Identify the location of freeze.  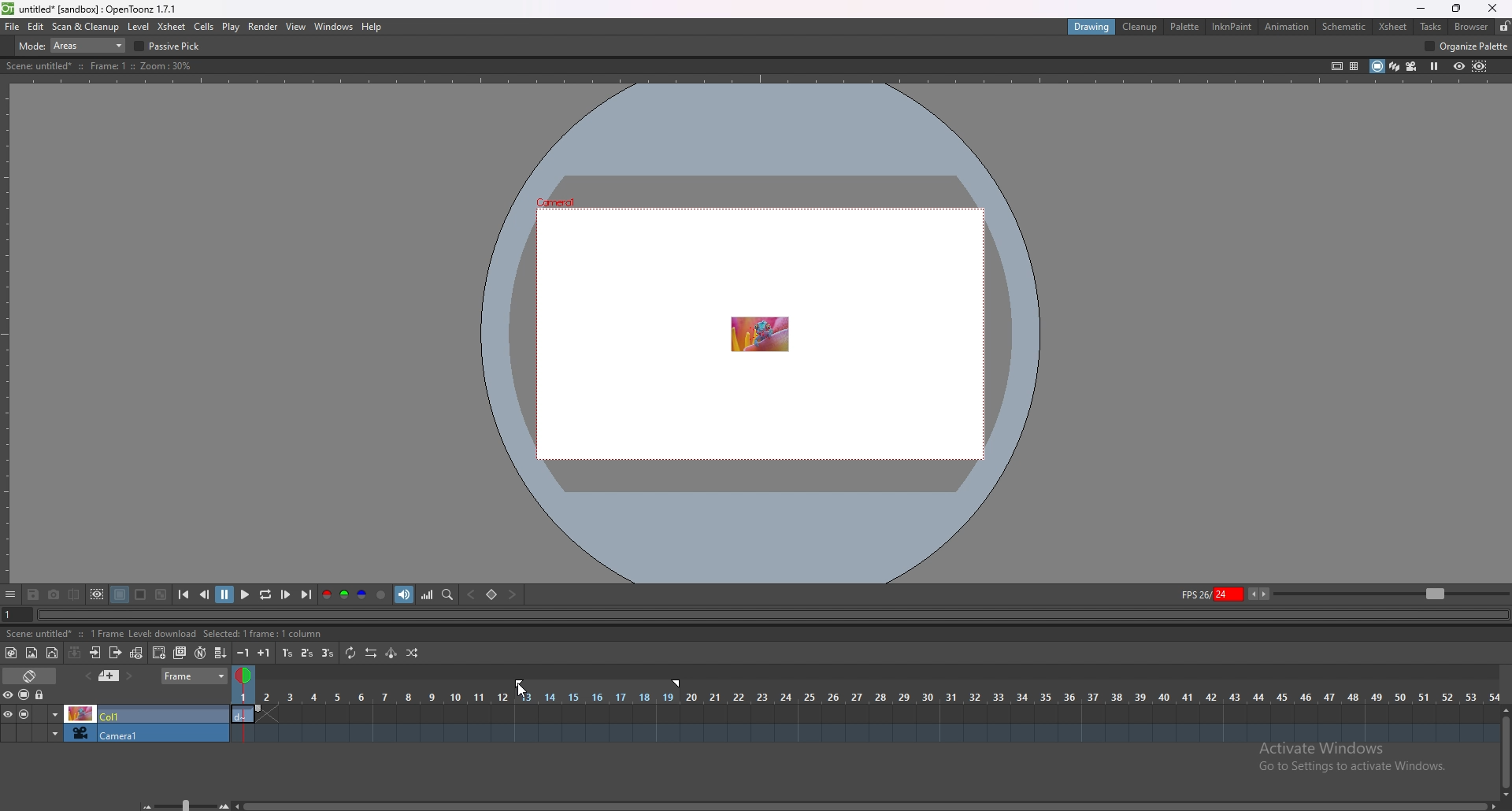
(1435, 67).